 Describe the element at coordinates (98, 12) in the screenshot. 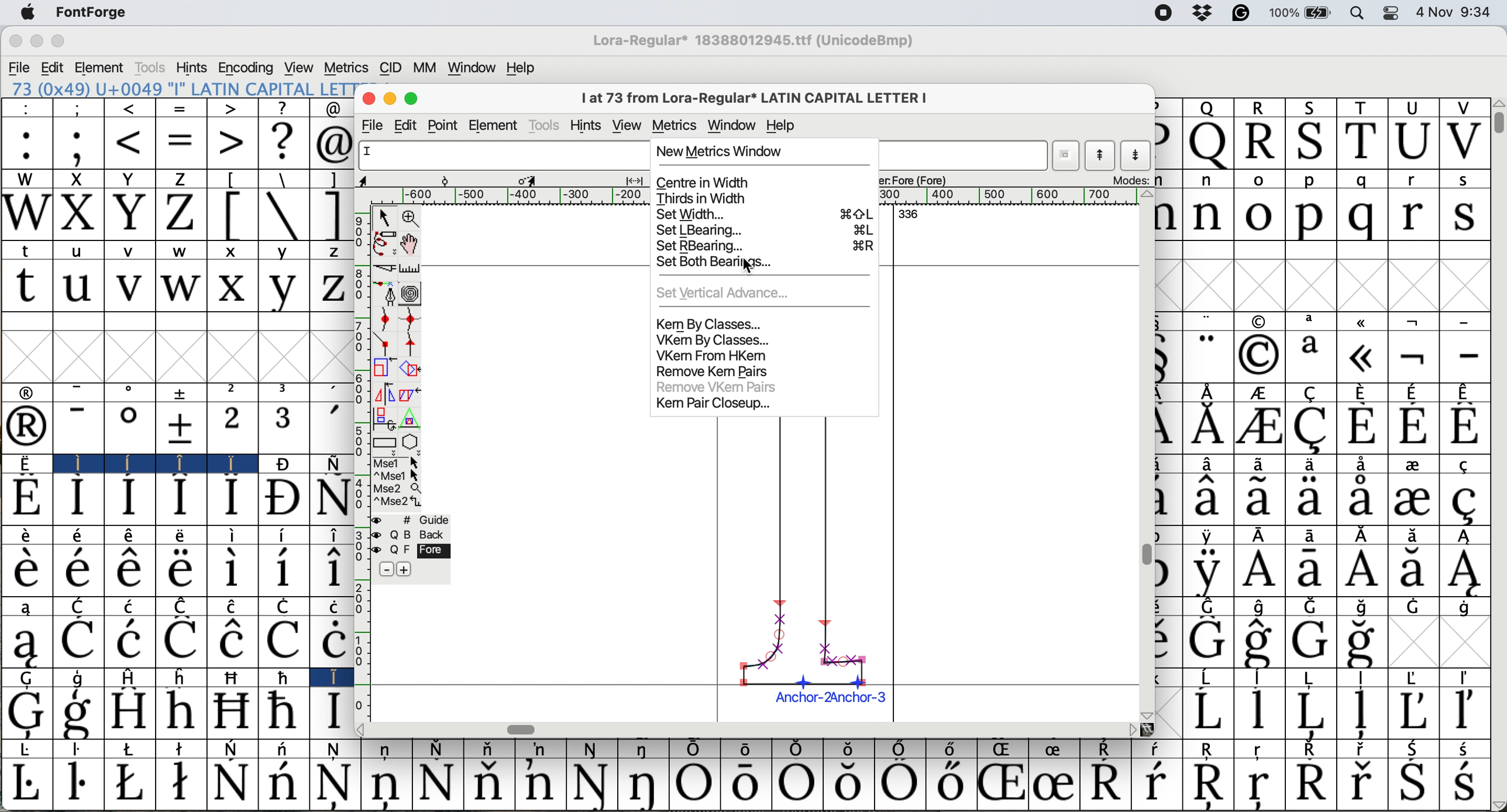

I see `font forge` at that location.